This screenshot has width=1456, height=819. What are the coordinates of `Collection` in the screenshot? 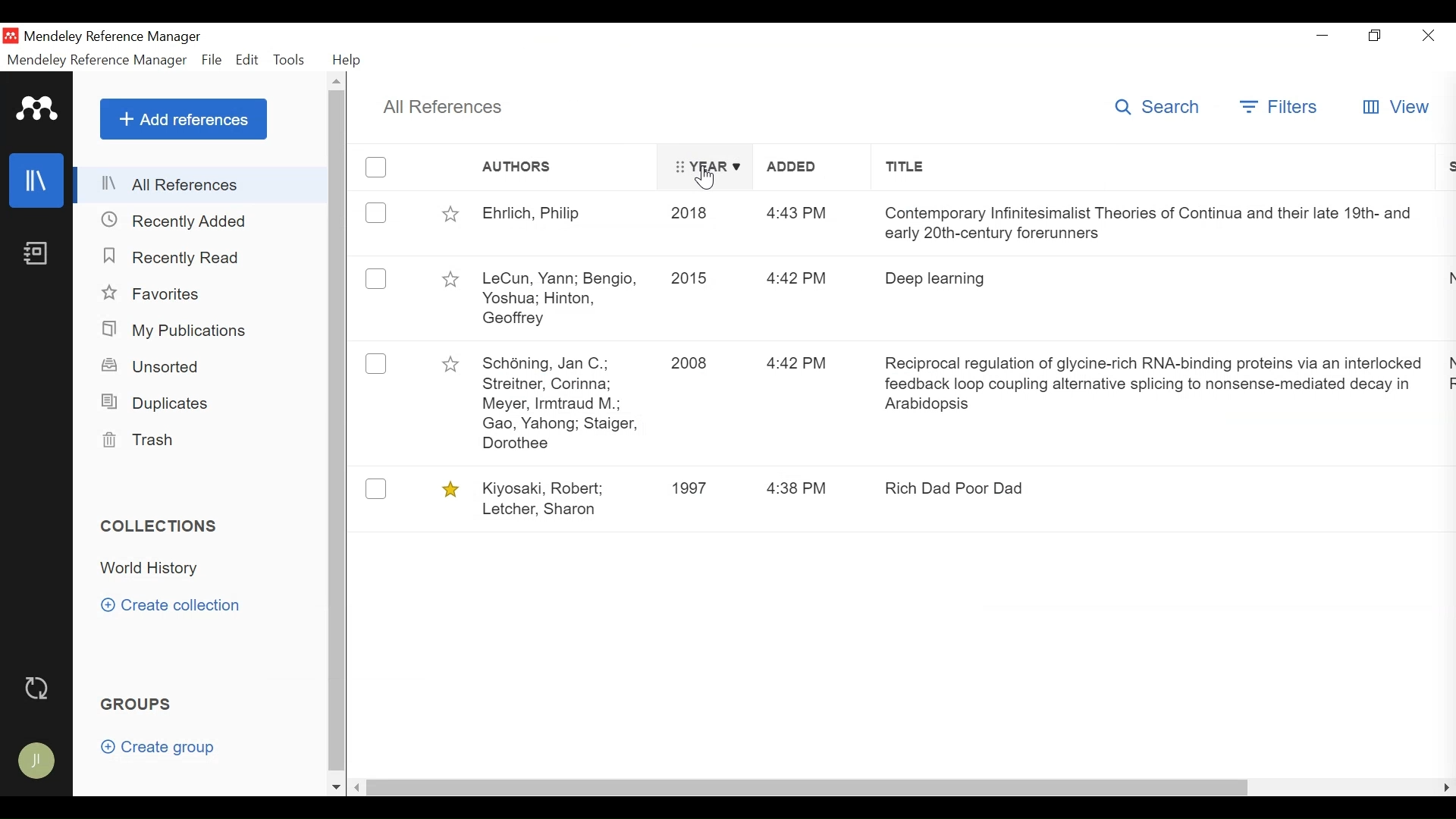 It's located at (152, 569).